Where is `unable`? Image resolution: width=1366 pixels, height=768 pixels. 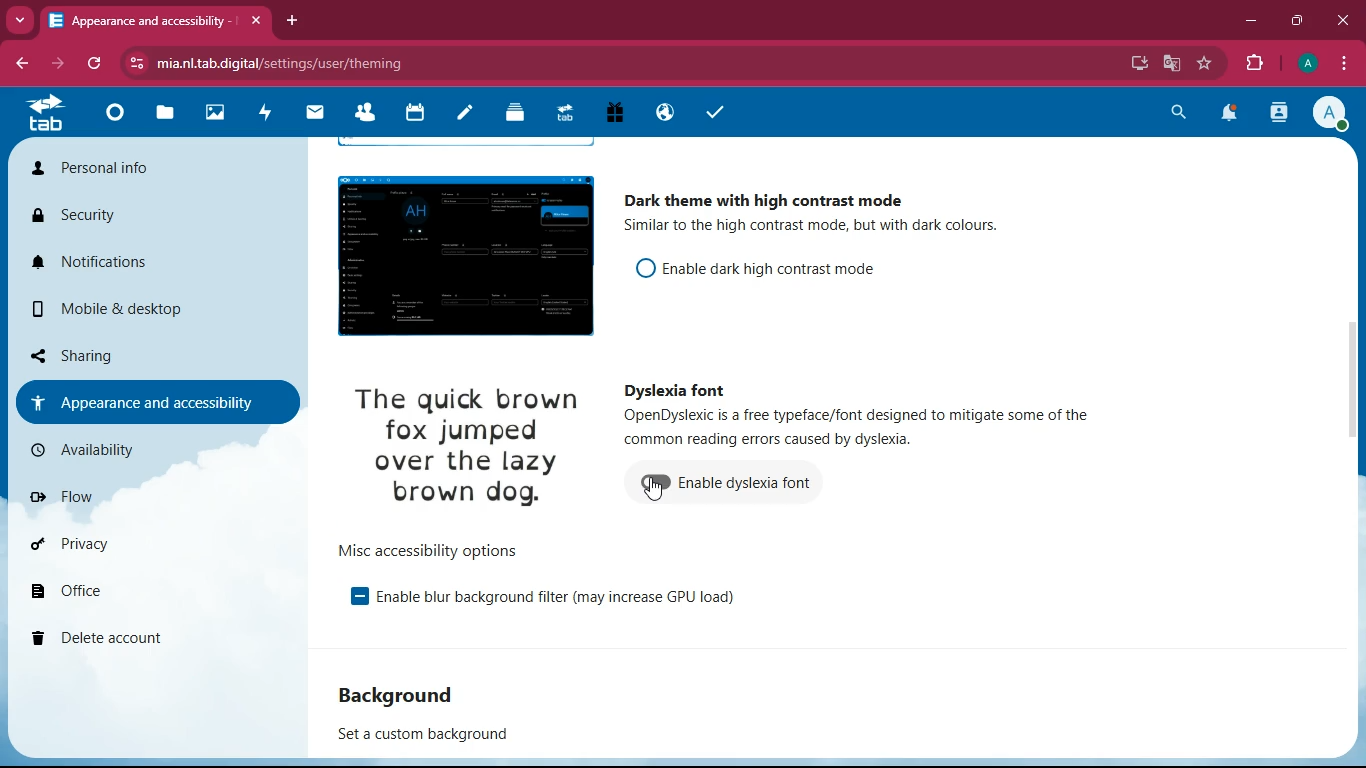
unable is located at coordinates (649, 485).